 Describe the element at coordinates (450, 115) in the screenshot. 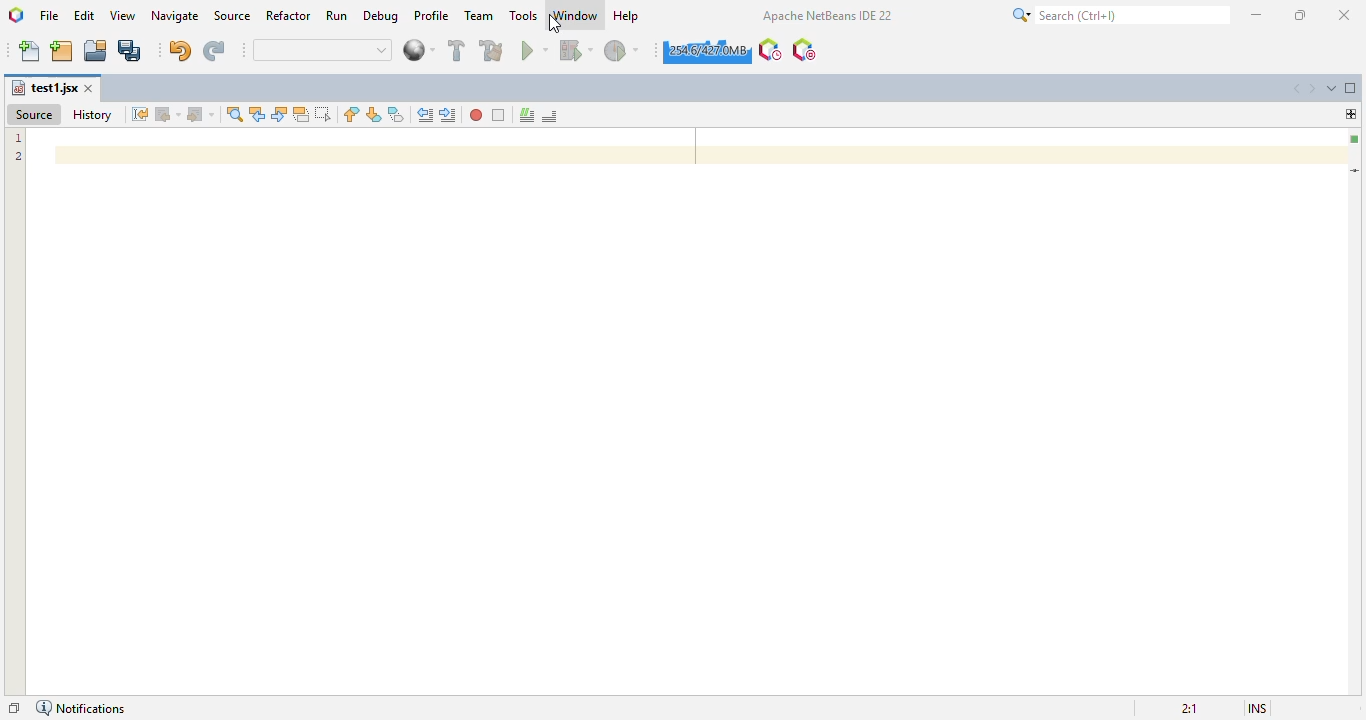

I see `shift line right` at that location.